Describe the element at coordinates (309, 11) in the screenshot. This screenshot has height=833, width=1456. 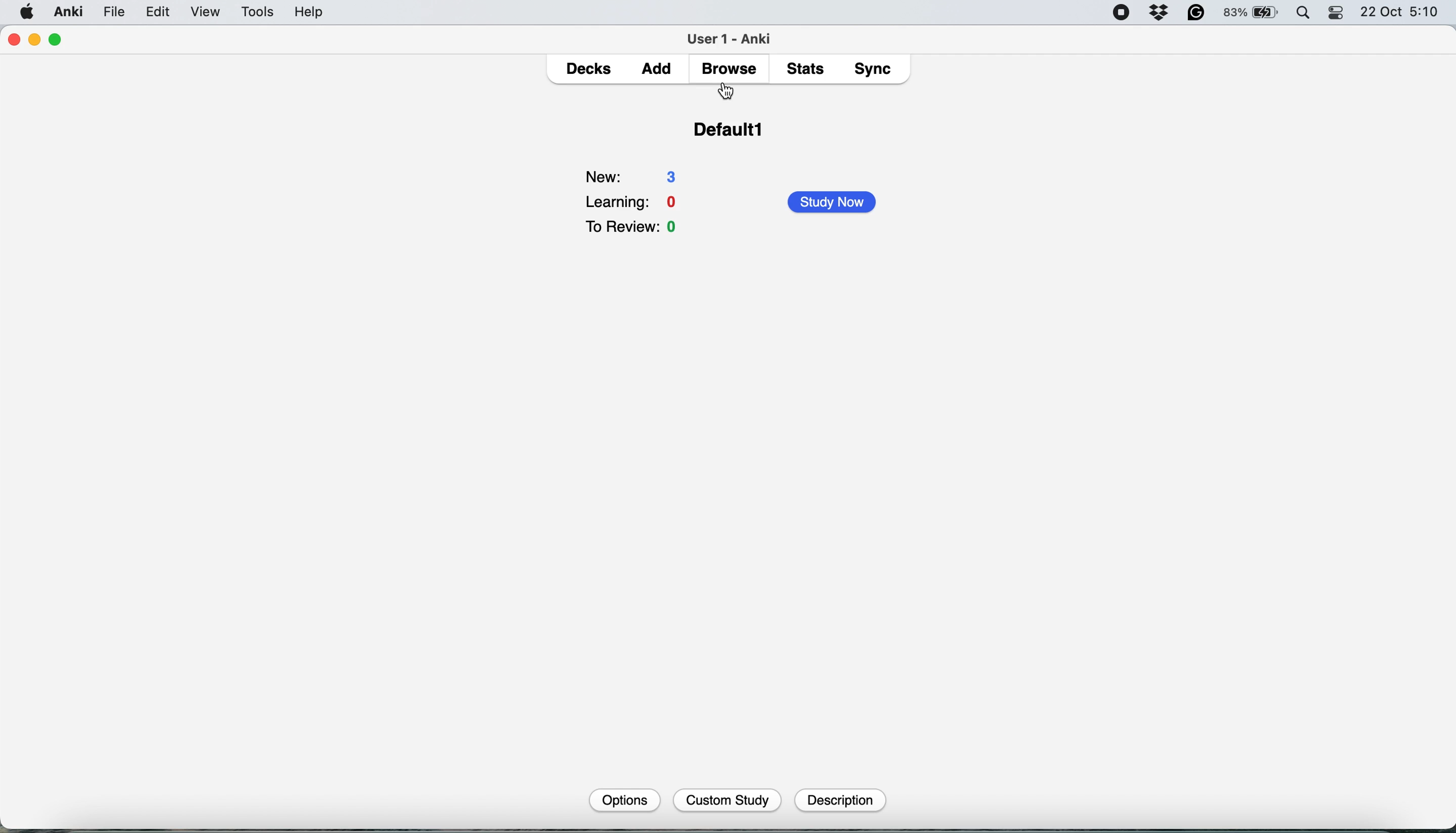
I see `help` at that location.